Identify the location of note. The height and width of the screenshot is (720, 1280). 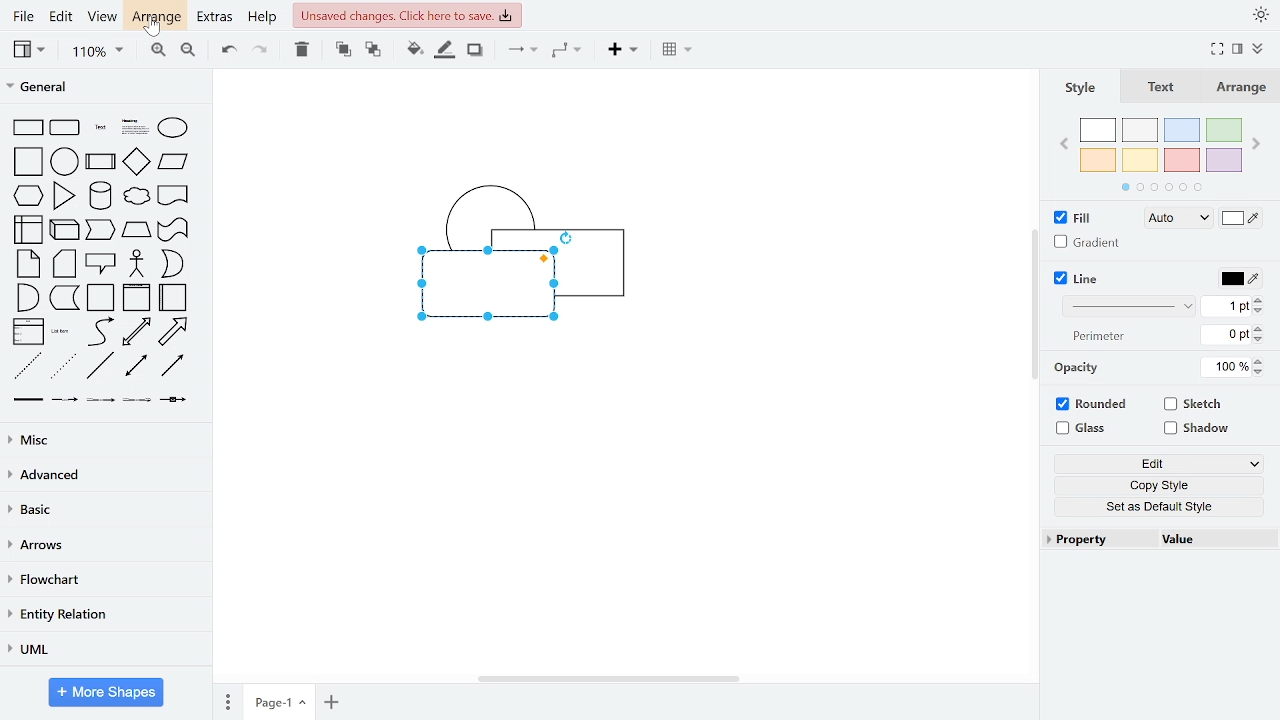
(28, 264).